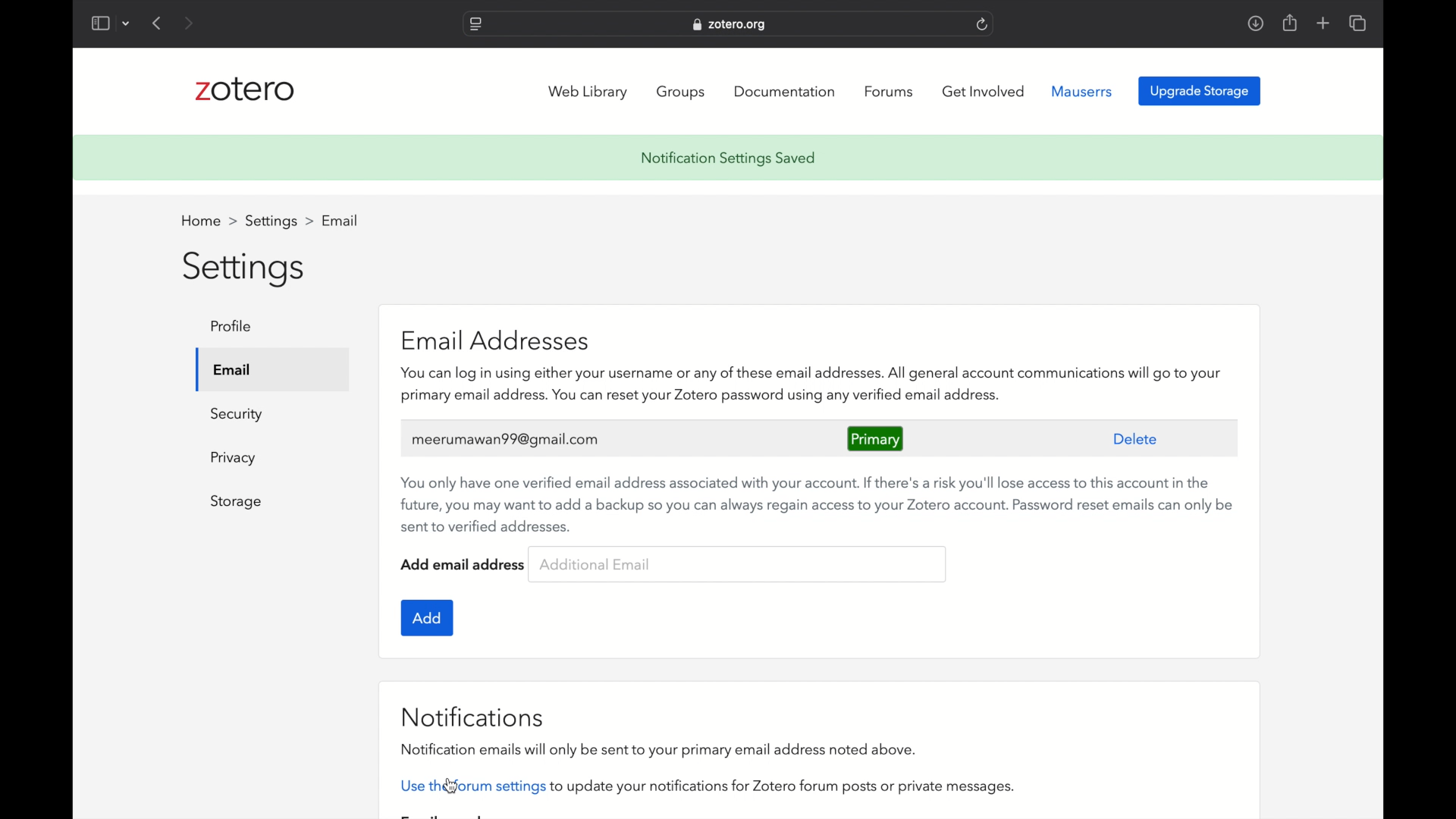  I want to click on home, so click(208, 221).